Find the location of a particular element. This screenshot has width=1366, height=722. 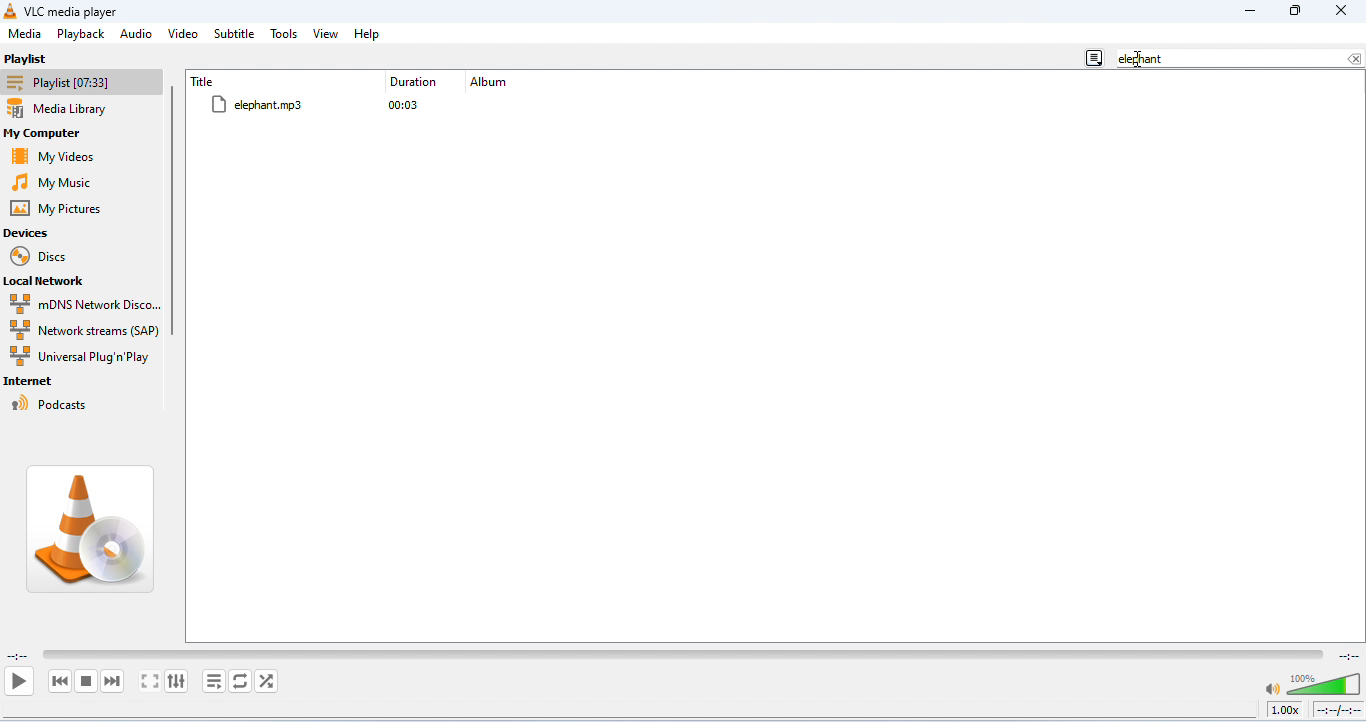

random is located at coordinates (266, 681).